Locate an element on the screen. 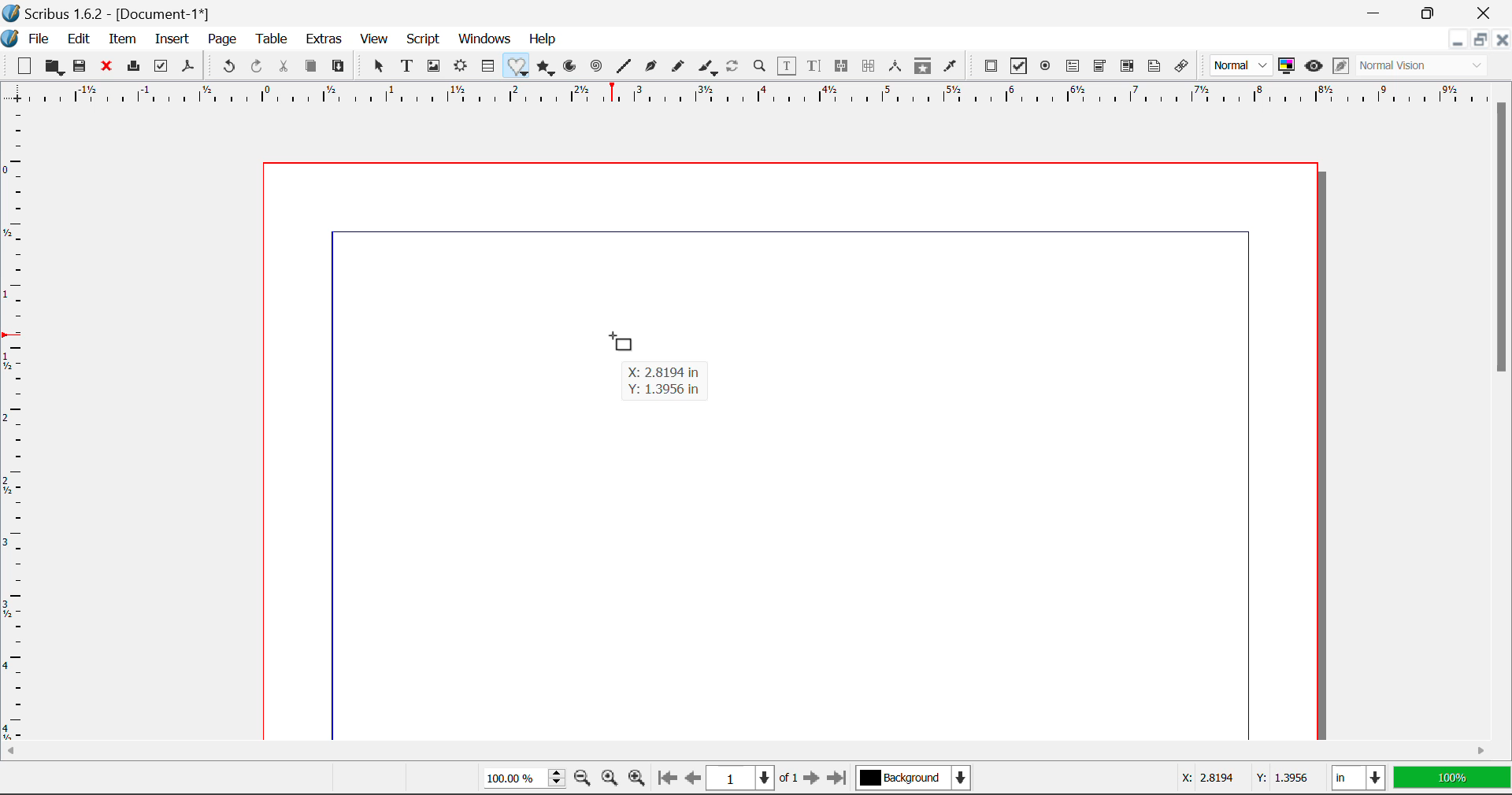  Delink Text Frames is located at coordinates (870, 66).